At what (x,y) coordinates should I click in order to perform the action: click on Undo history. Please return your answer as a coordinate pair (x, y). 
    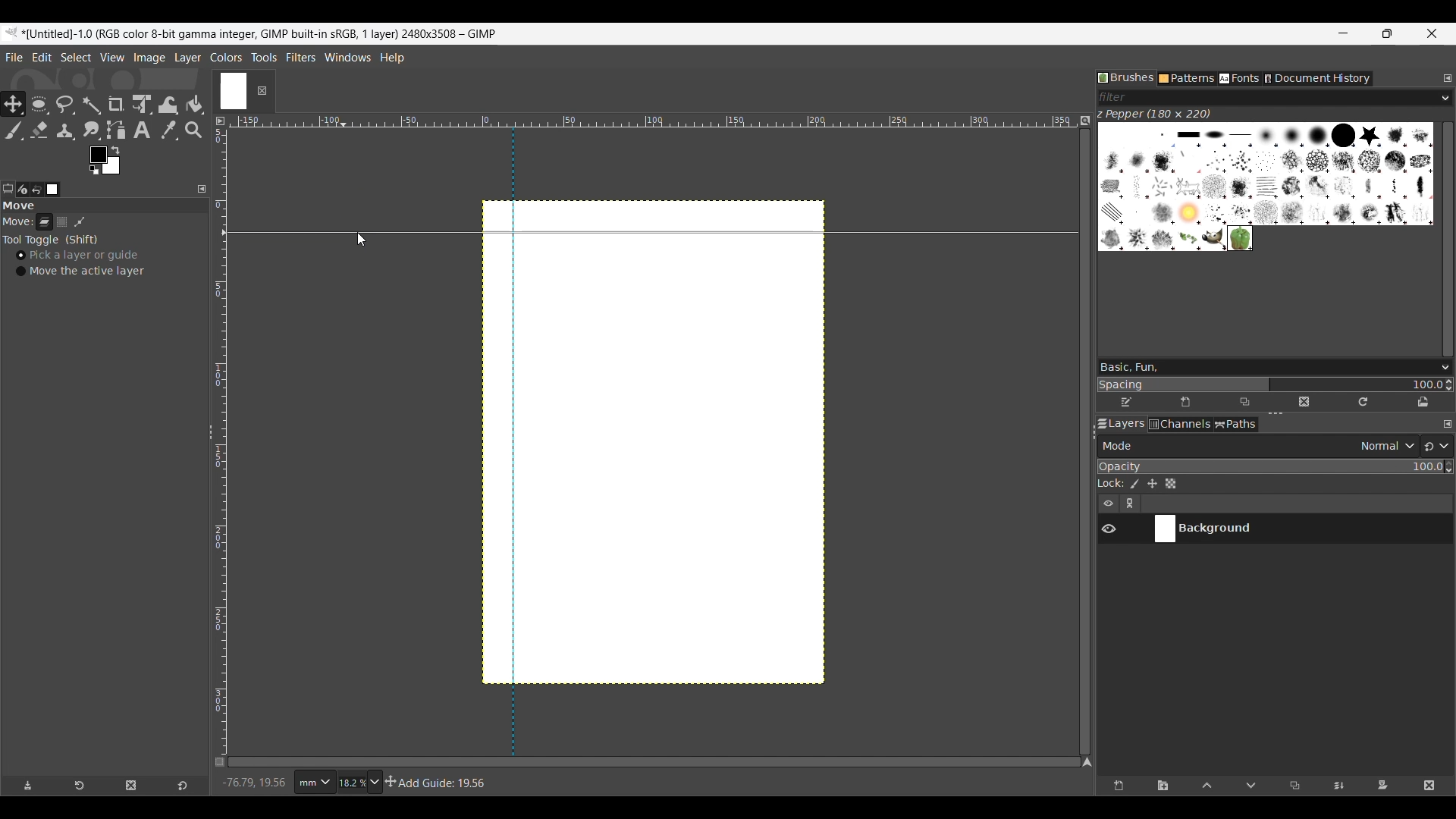
    Looking at the image, I should click on (39, 190).